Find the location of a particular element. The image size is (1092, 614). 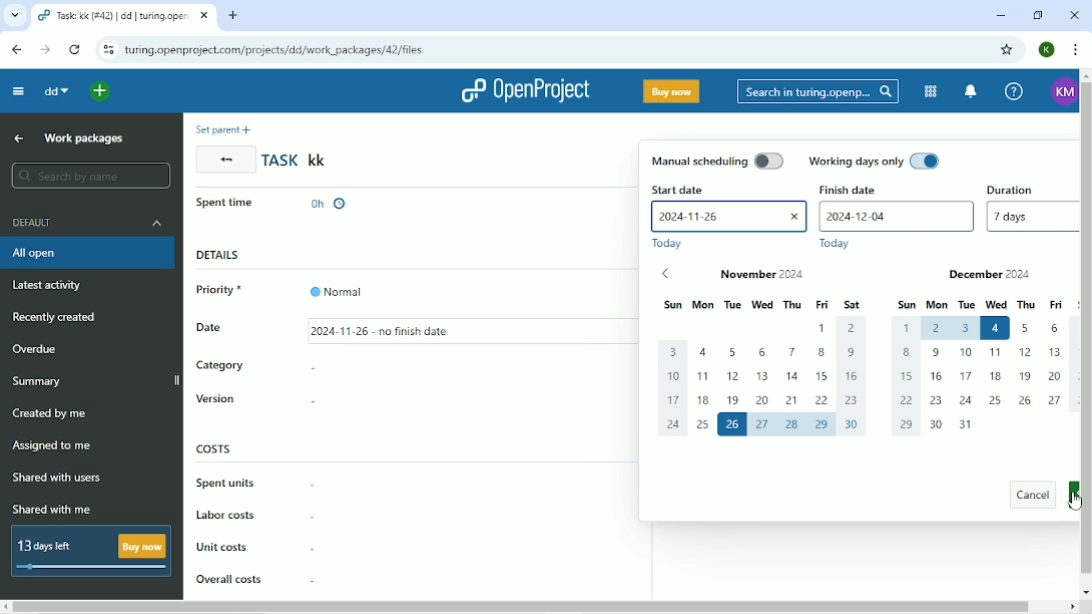

Help is located at coordinates (1012, 91).